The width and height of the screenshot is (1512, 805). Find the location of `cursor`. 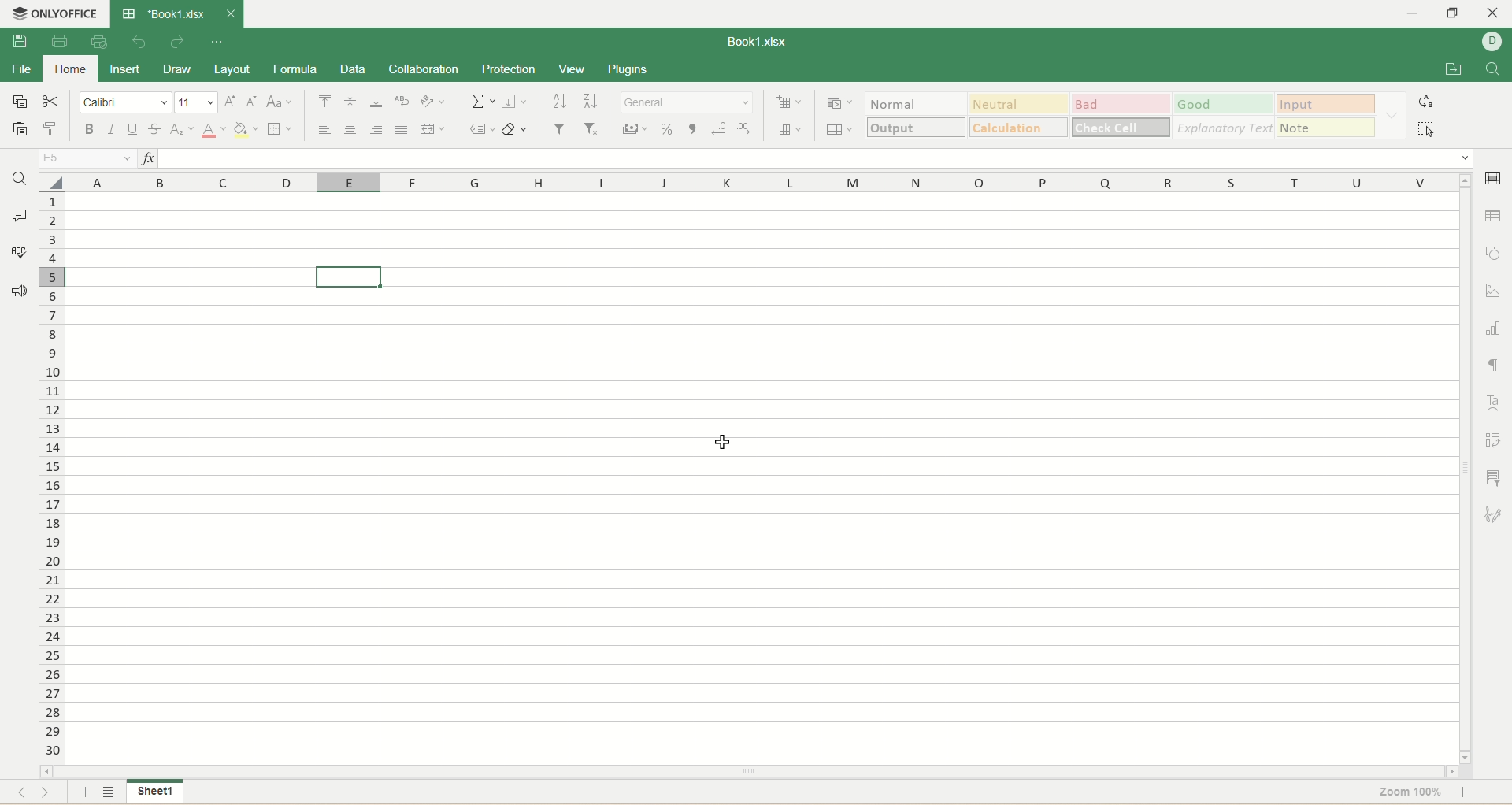

cursor is located at coordinates (728, 442).